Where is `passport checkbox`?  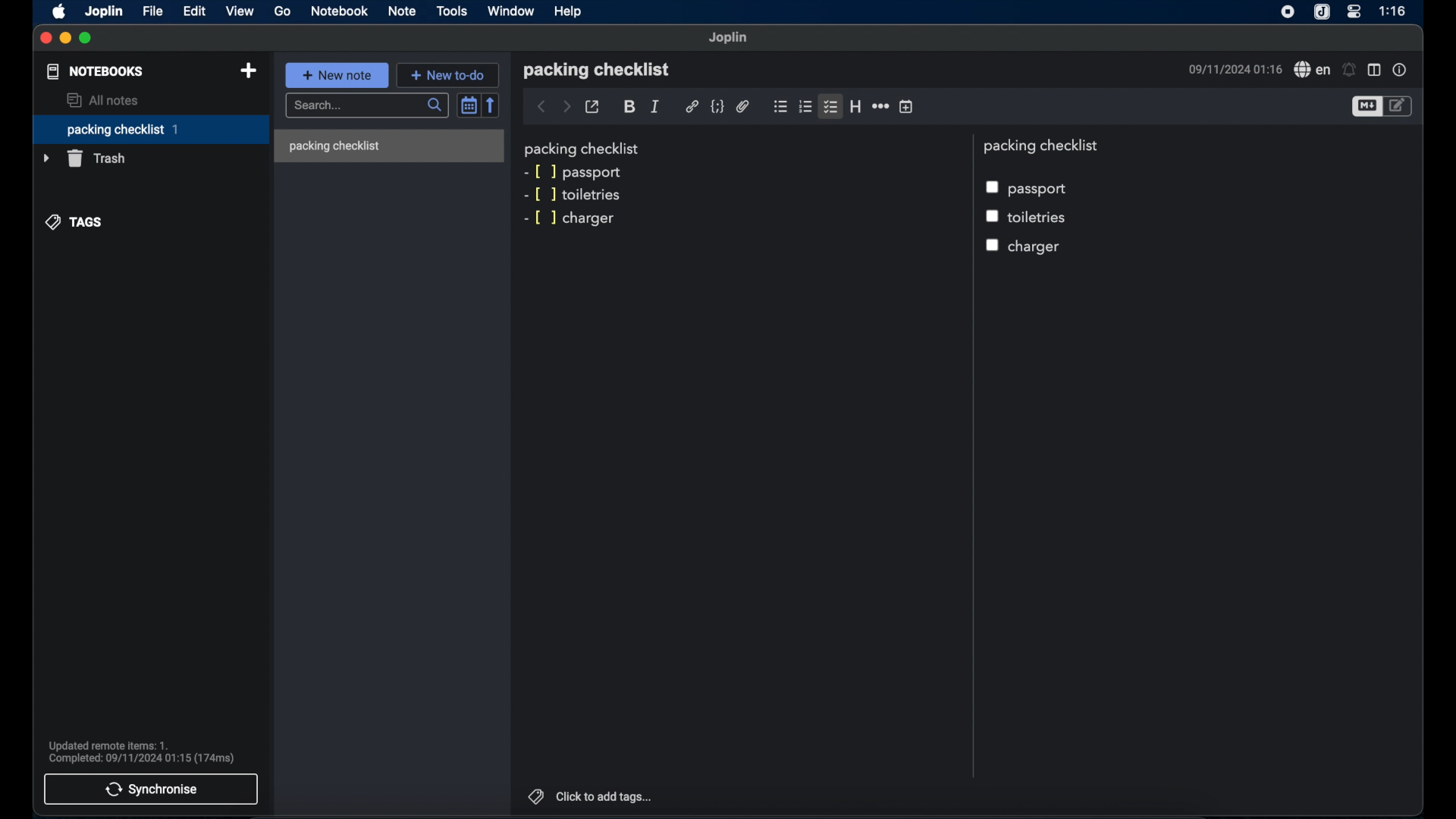 passport checkbox is located at coordinates (1029, 190).